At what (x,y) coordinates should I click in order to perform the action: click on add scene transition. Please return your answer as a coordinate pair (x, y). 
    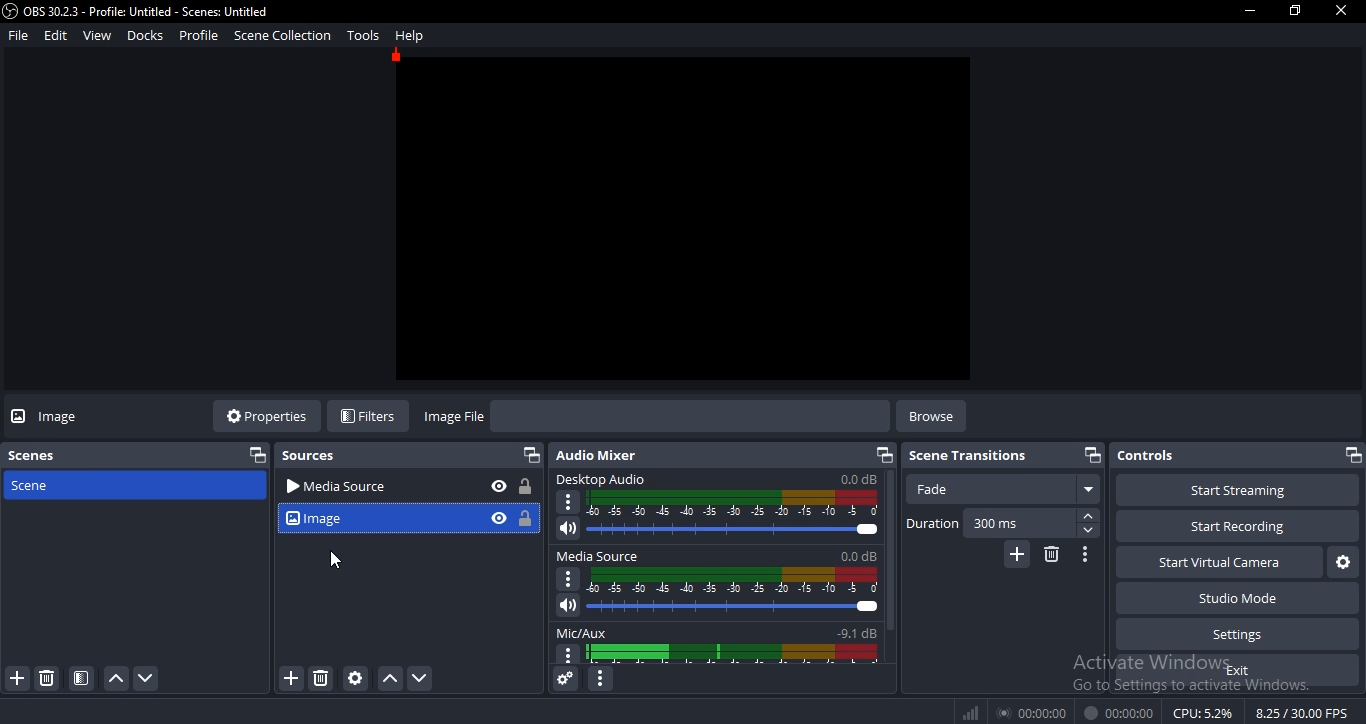
    Looking at the image, I should click on (1019, 554).